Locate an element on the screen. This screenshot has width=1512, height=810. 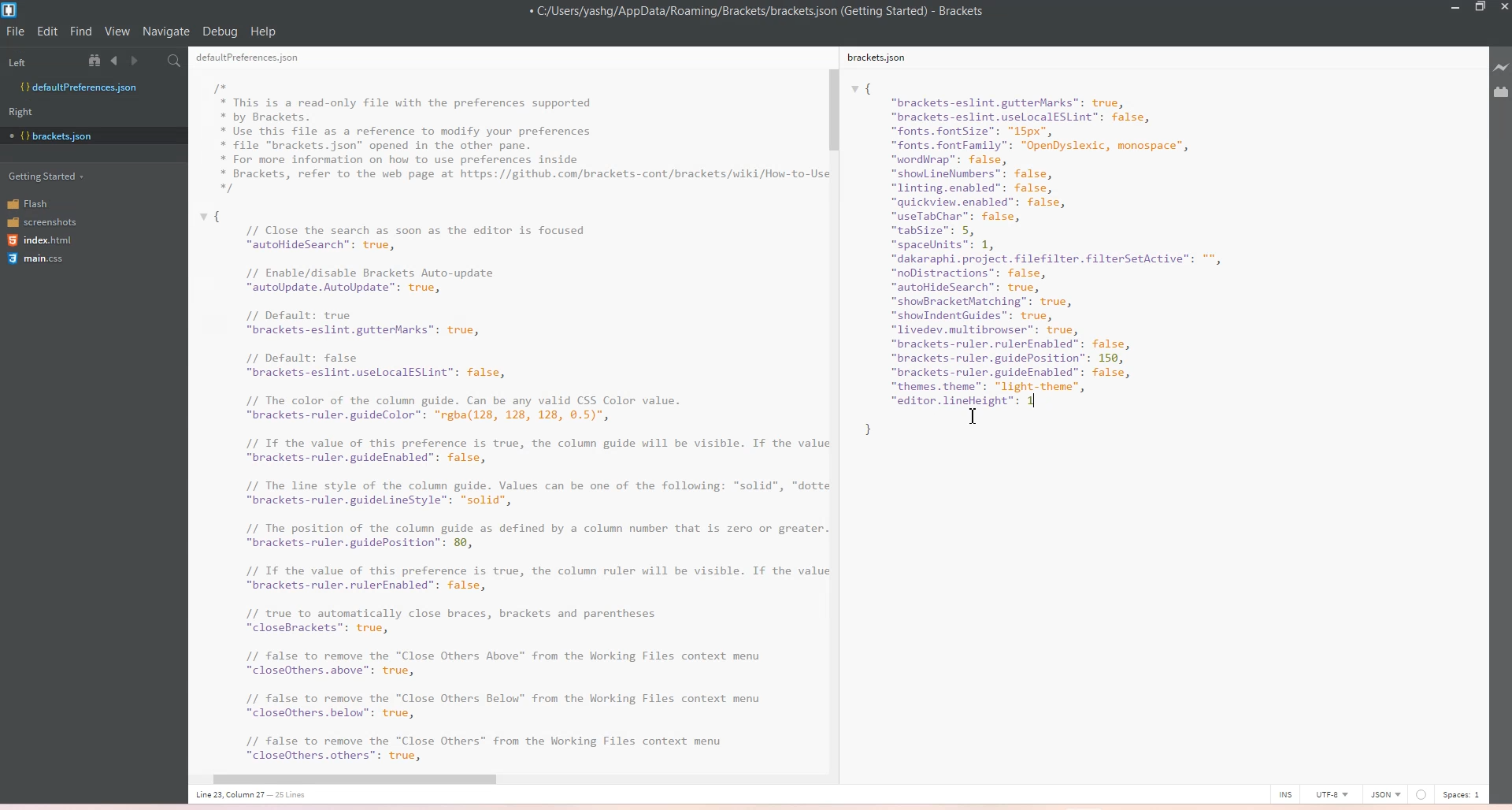
Extension Manager is located at coordinates (1501, 92).